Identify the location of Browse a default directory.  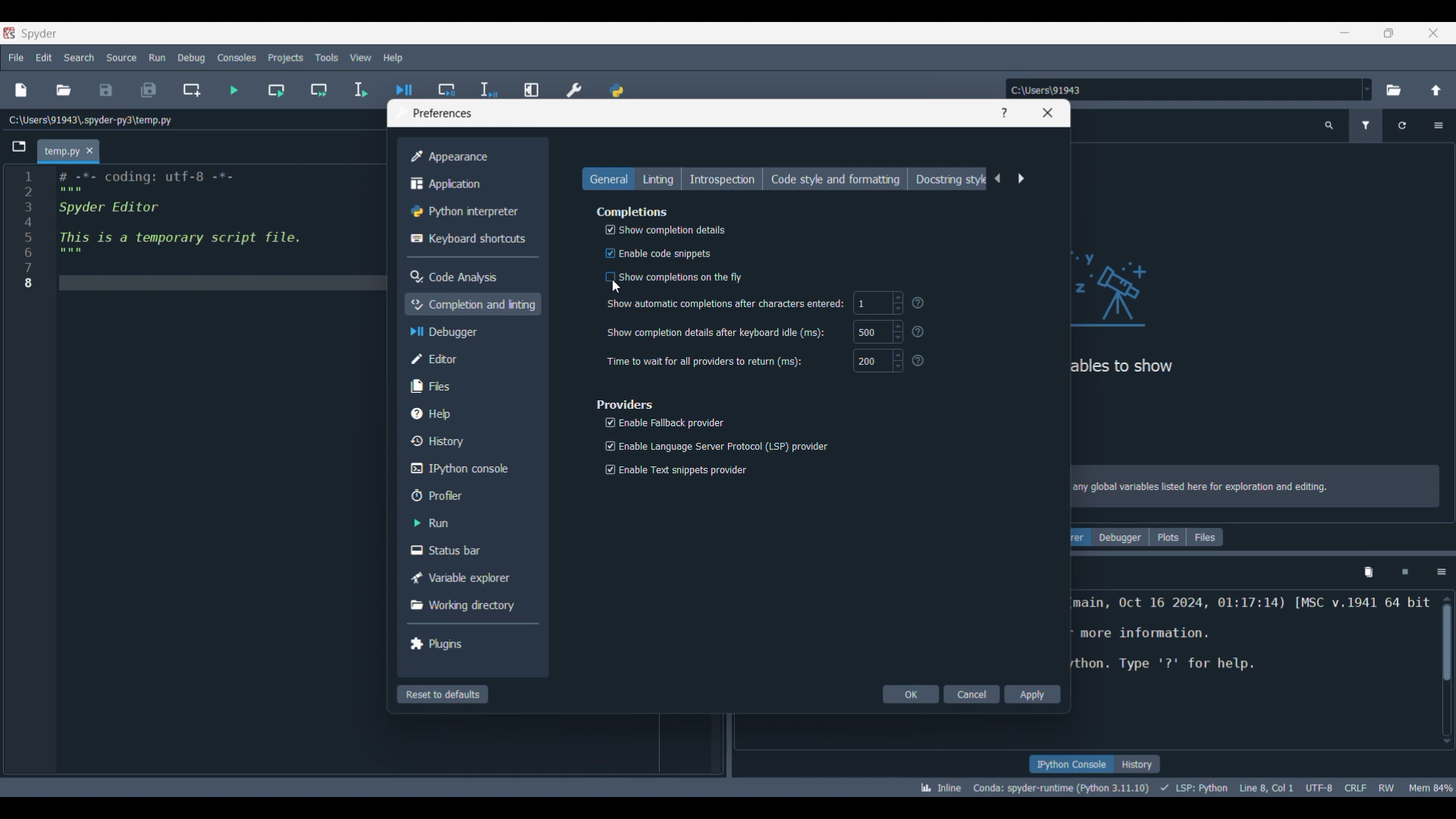
(1394, 90).